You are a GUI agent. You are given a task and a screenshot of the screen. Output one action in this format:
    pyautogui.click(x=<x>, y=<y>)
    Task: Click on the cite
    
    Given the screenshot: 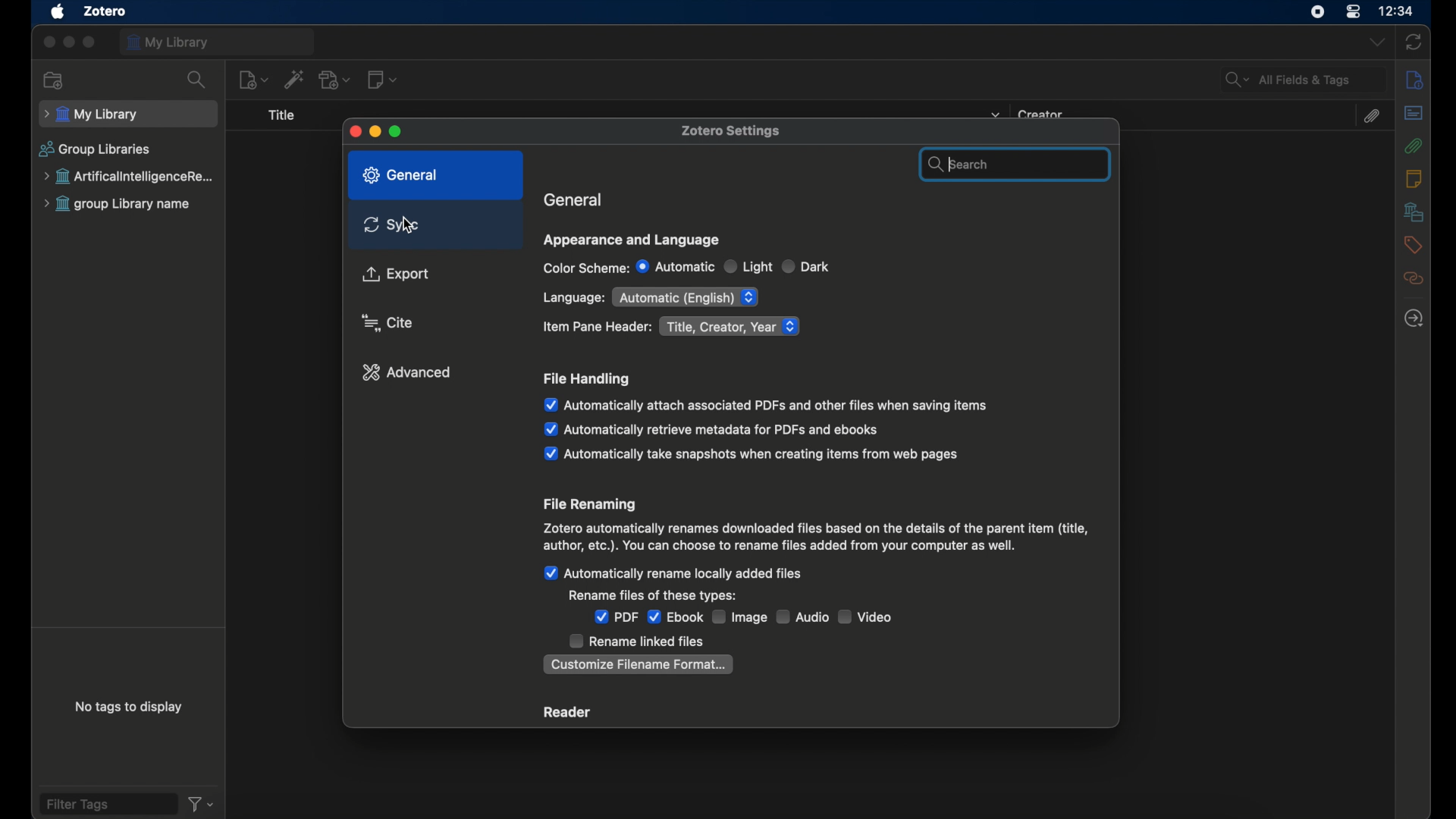 What is the action you would take?
    pyautogui.click(x=388, y=322)
    